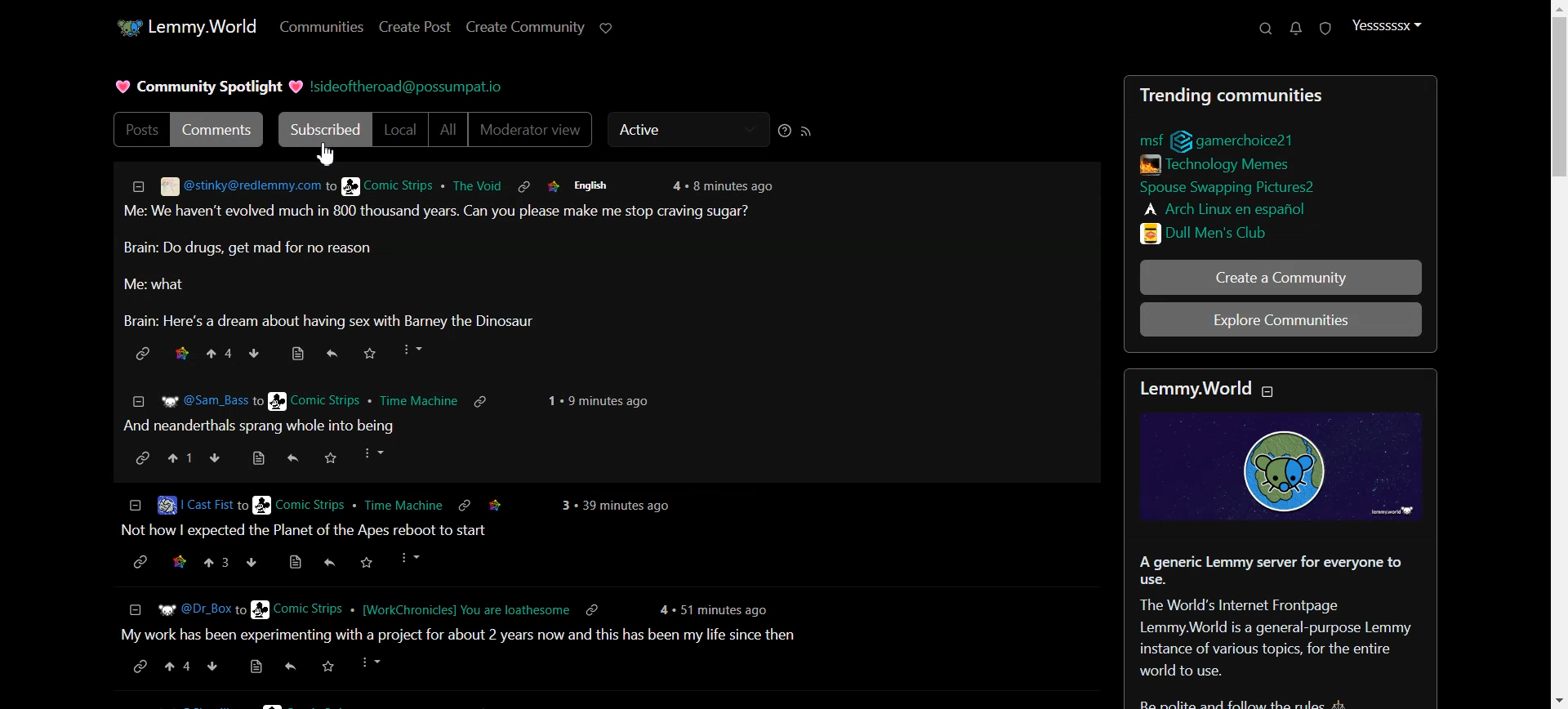  What do you see at coordinates (177, 562) in the screenshot?
I see `starred` at bounding box center [177, 562].